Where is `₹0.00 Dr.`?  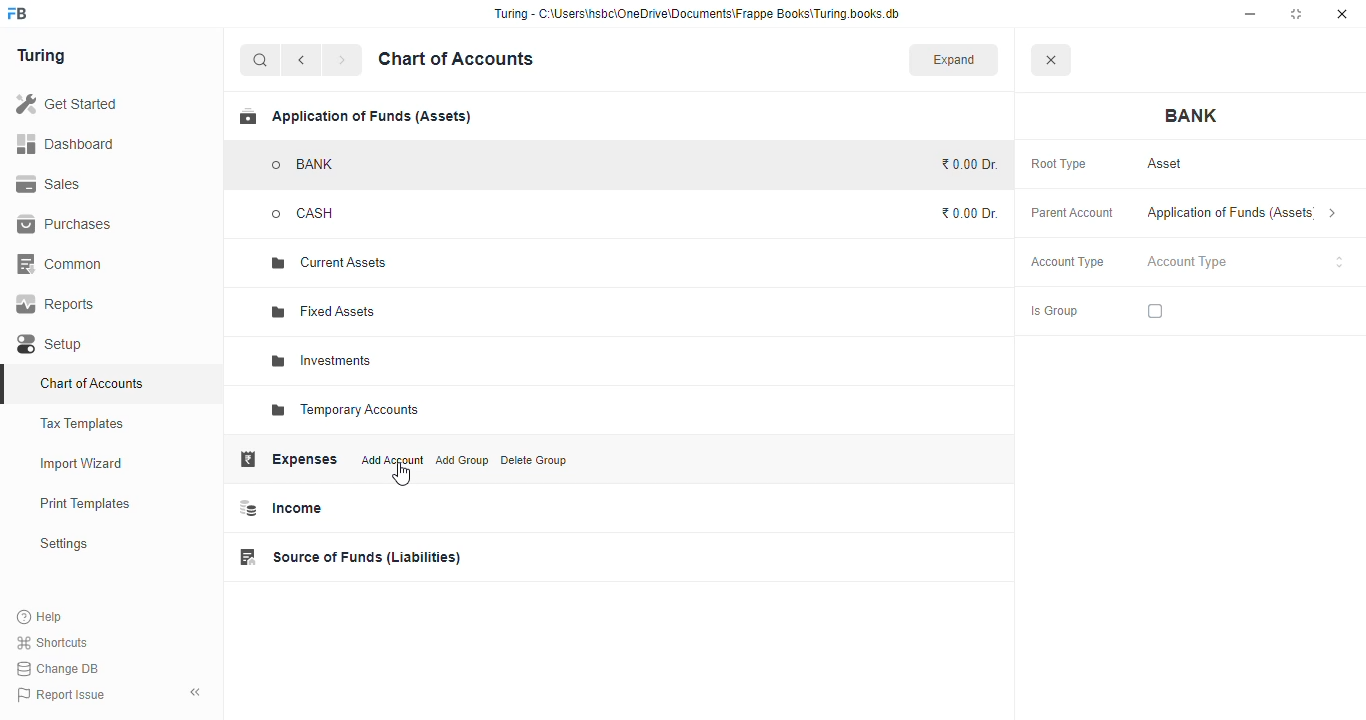 ₹0.00 Dr. is located at coordinates (968, 213).